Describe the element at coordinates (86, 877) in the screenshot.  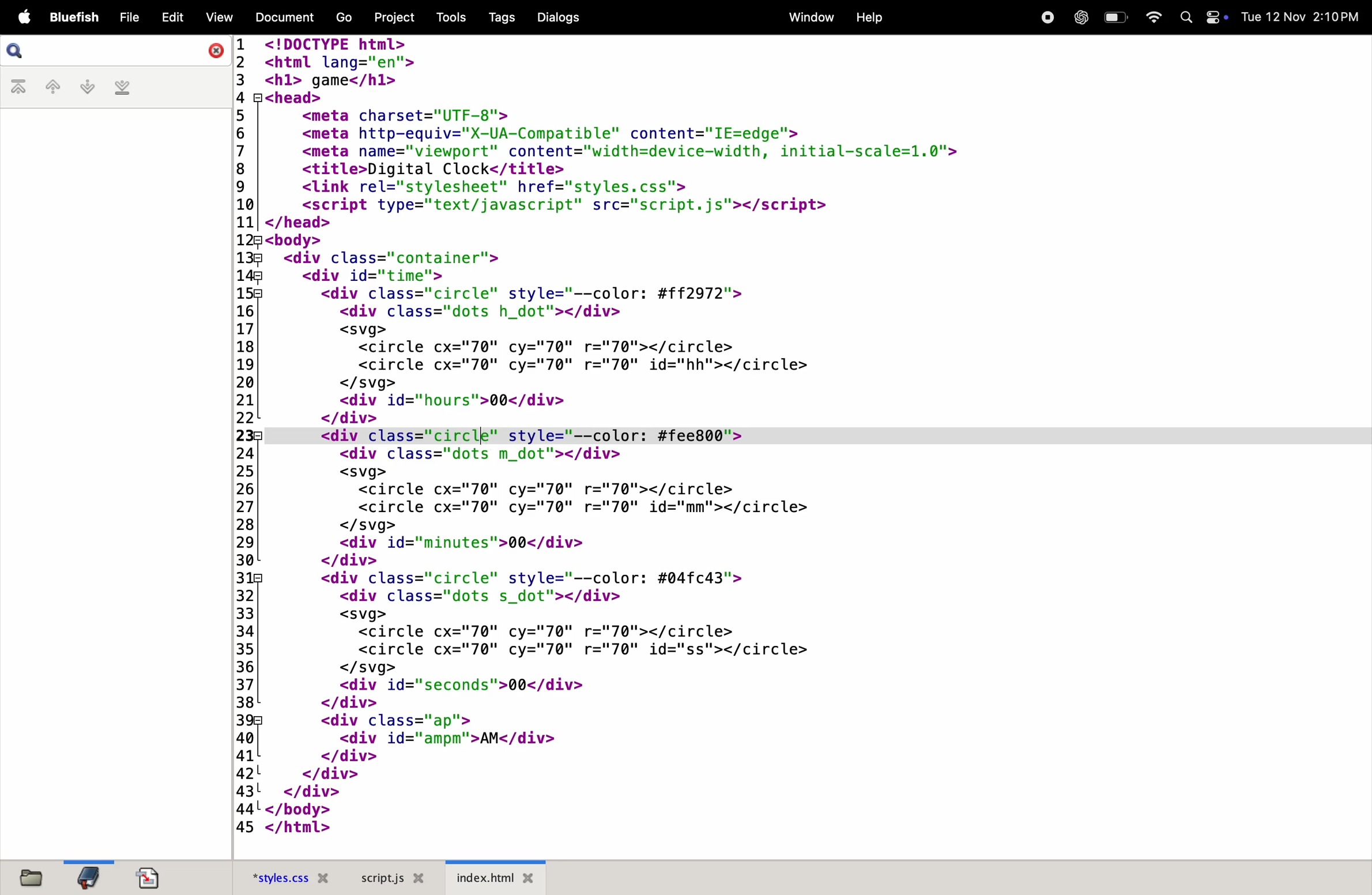
I see `bookmark` at that location.